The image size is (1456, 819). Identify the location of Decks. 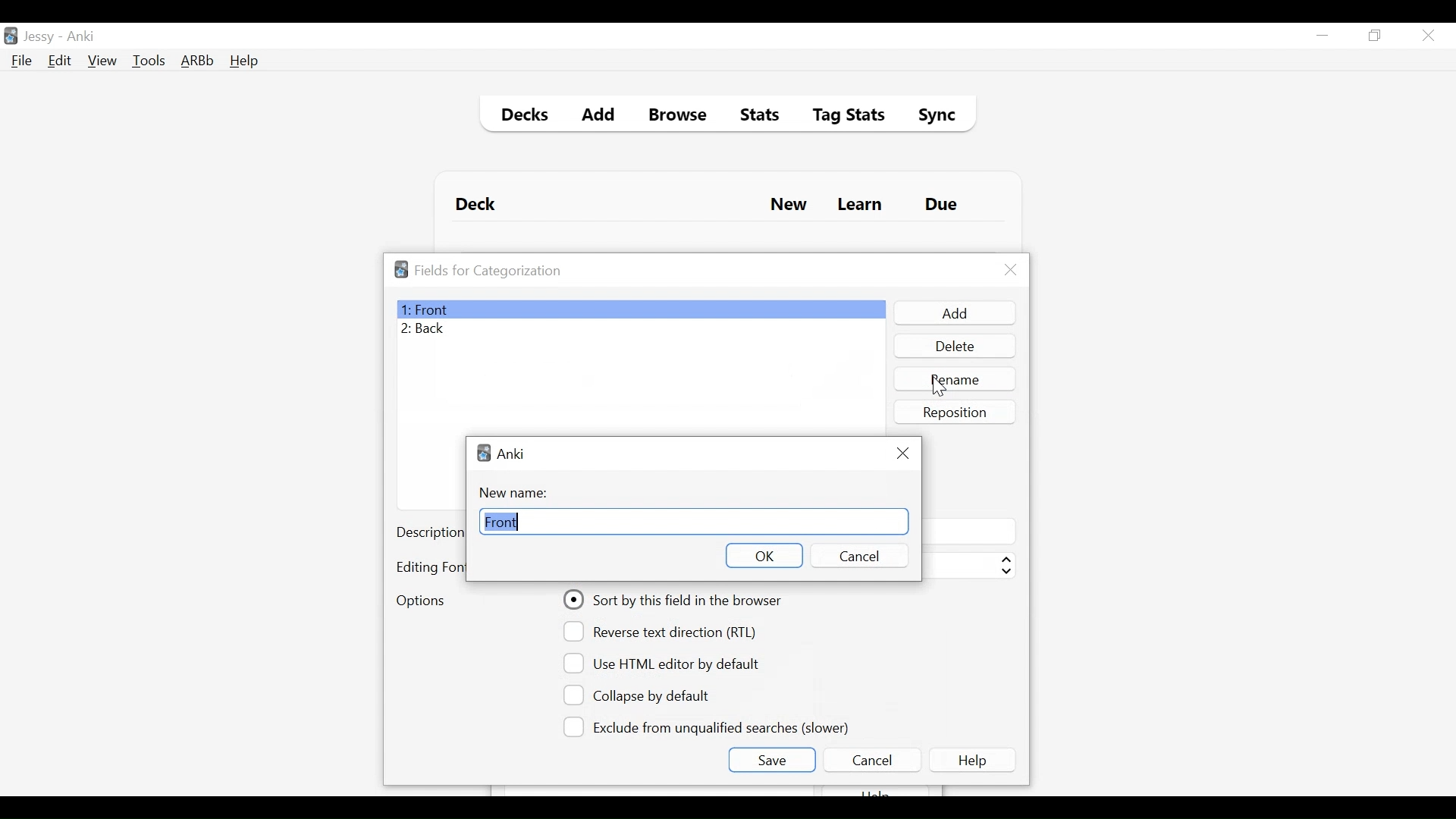
(521, 117).